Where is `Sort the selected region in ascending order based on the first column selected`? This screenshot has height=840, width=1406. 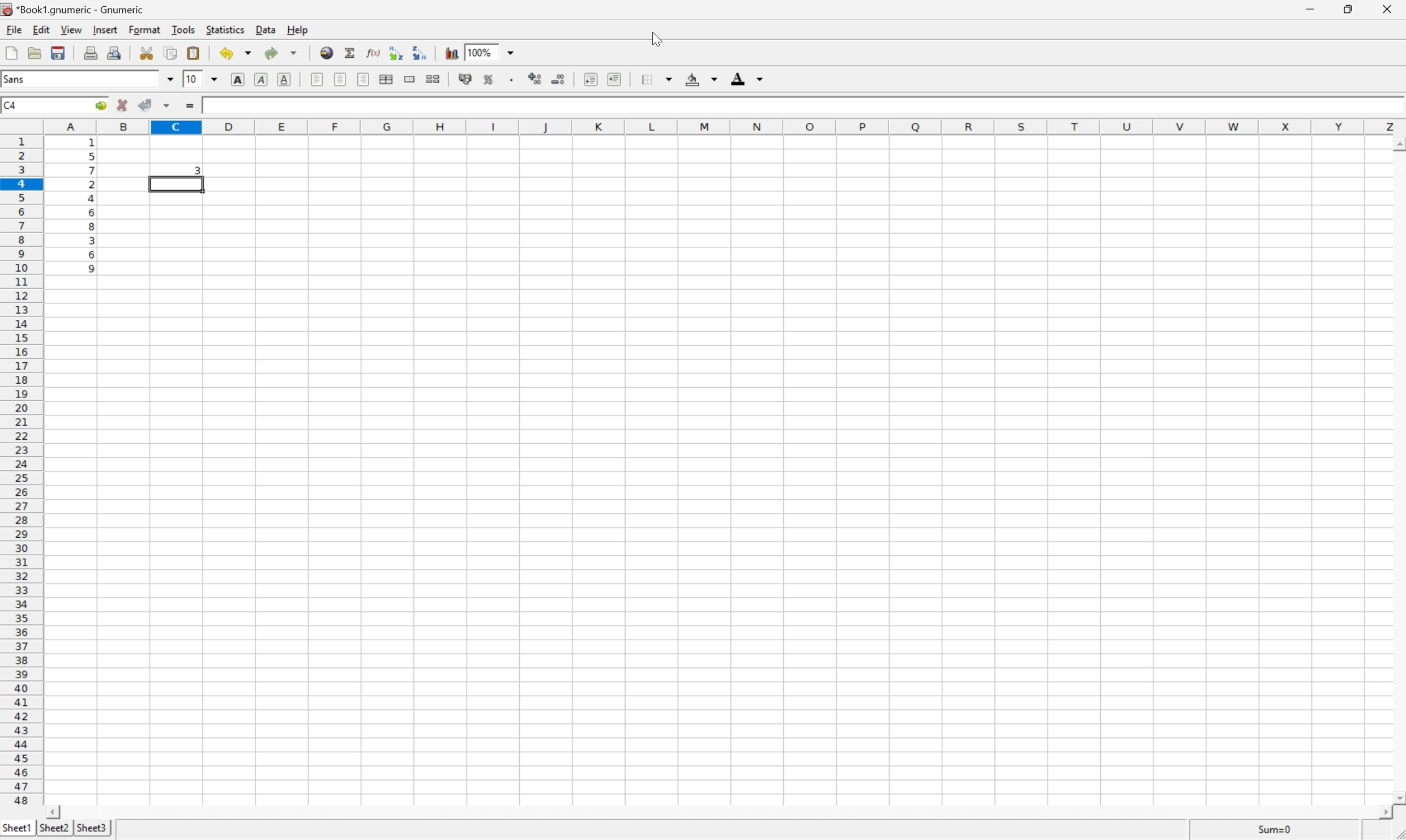
Sort the selected region in ascending order based on the first column selected is located at coordinates (396, 53).